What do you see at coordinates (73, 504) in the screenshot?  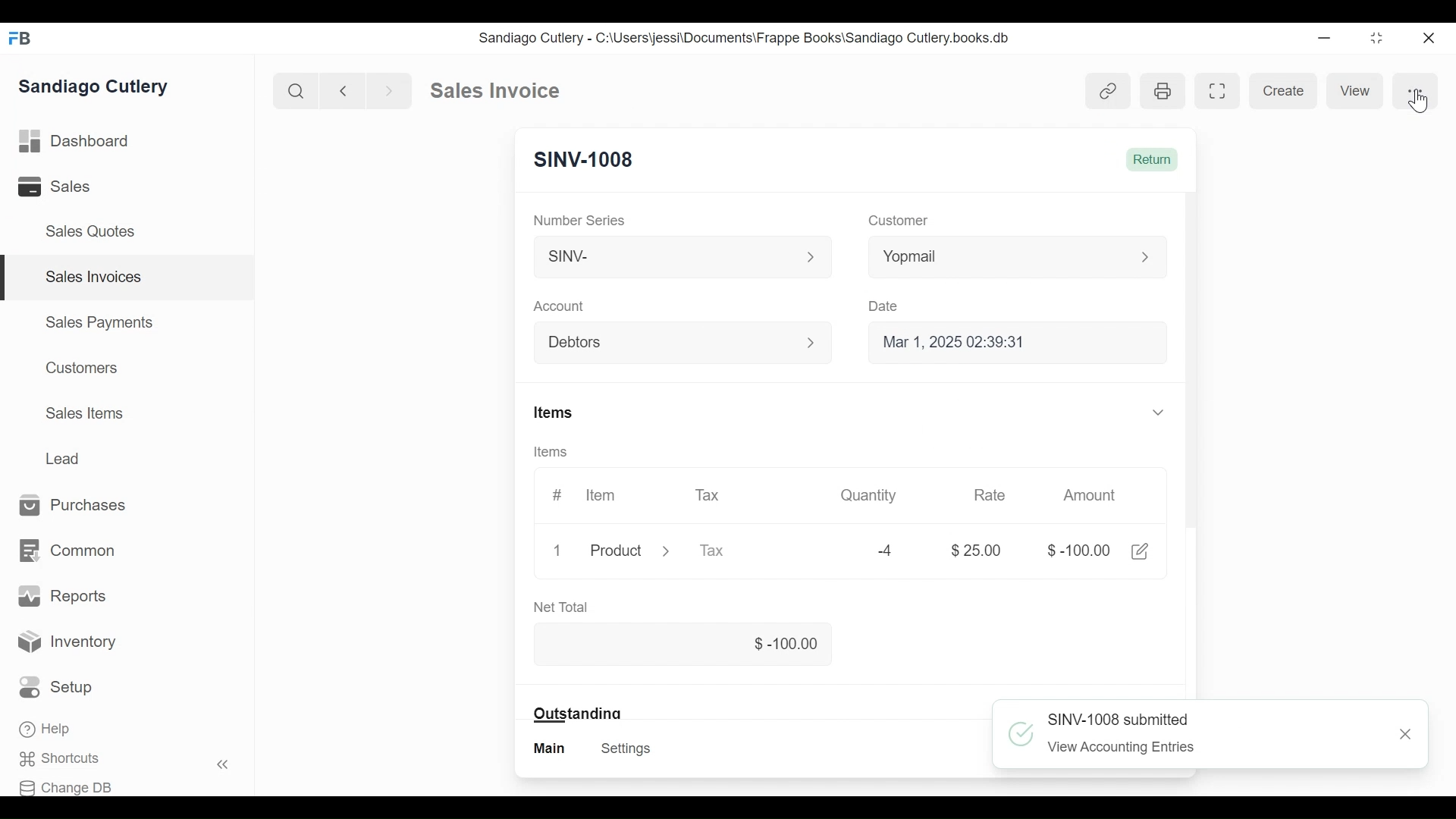 I see `Purchases` at bounding box center [73, 504].